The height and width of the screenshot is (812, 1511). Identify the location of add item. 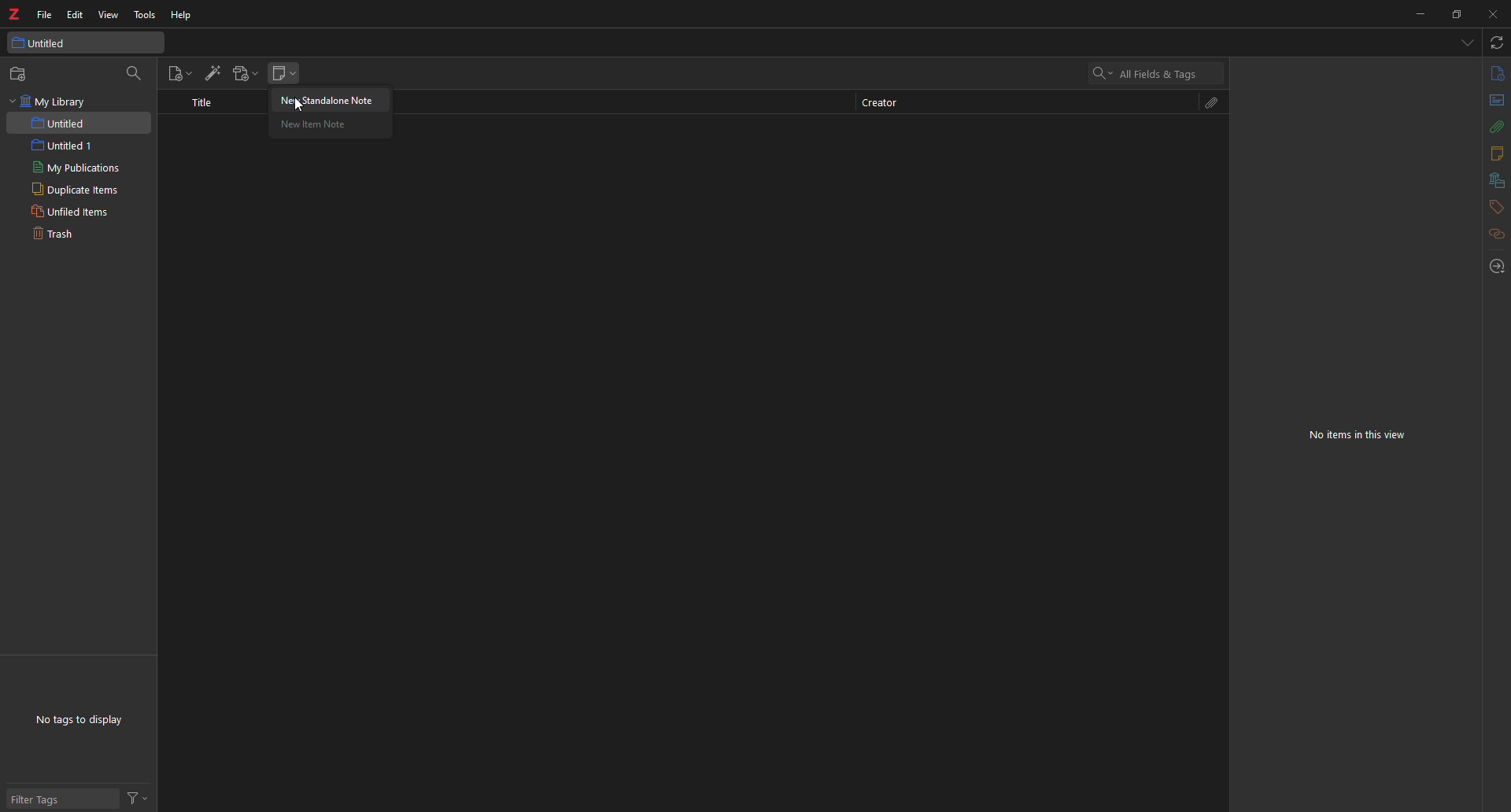
(212, 73).